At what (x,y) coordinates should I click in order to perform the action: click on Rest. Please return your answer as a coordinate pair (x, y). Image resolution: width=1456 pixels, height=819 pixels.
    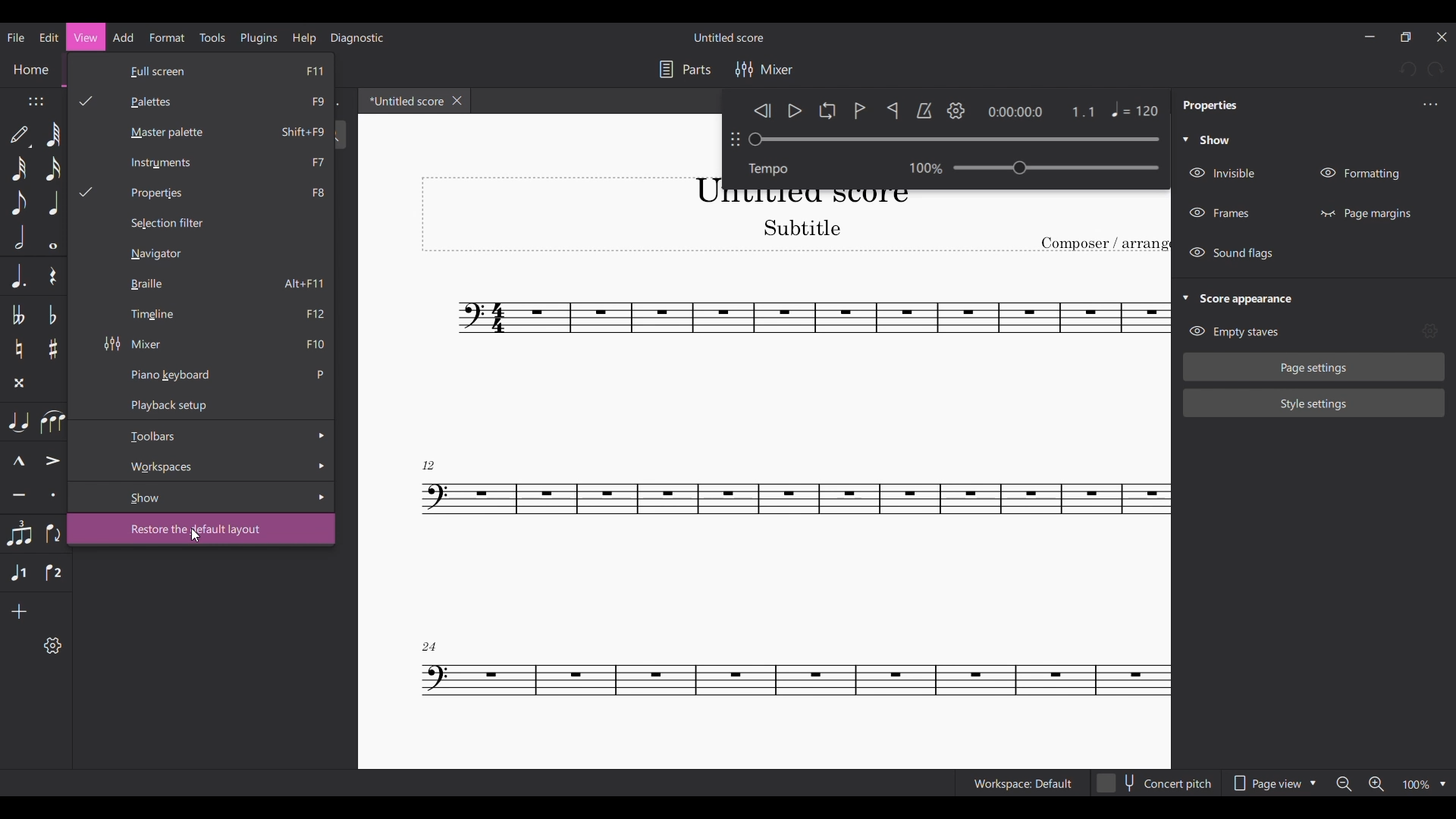
    Looking at the image, I should click on (52, 275).